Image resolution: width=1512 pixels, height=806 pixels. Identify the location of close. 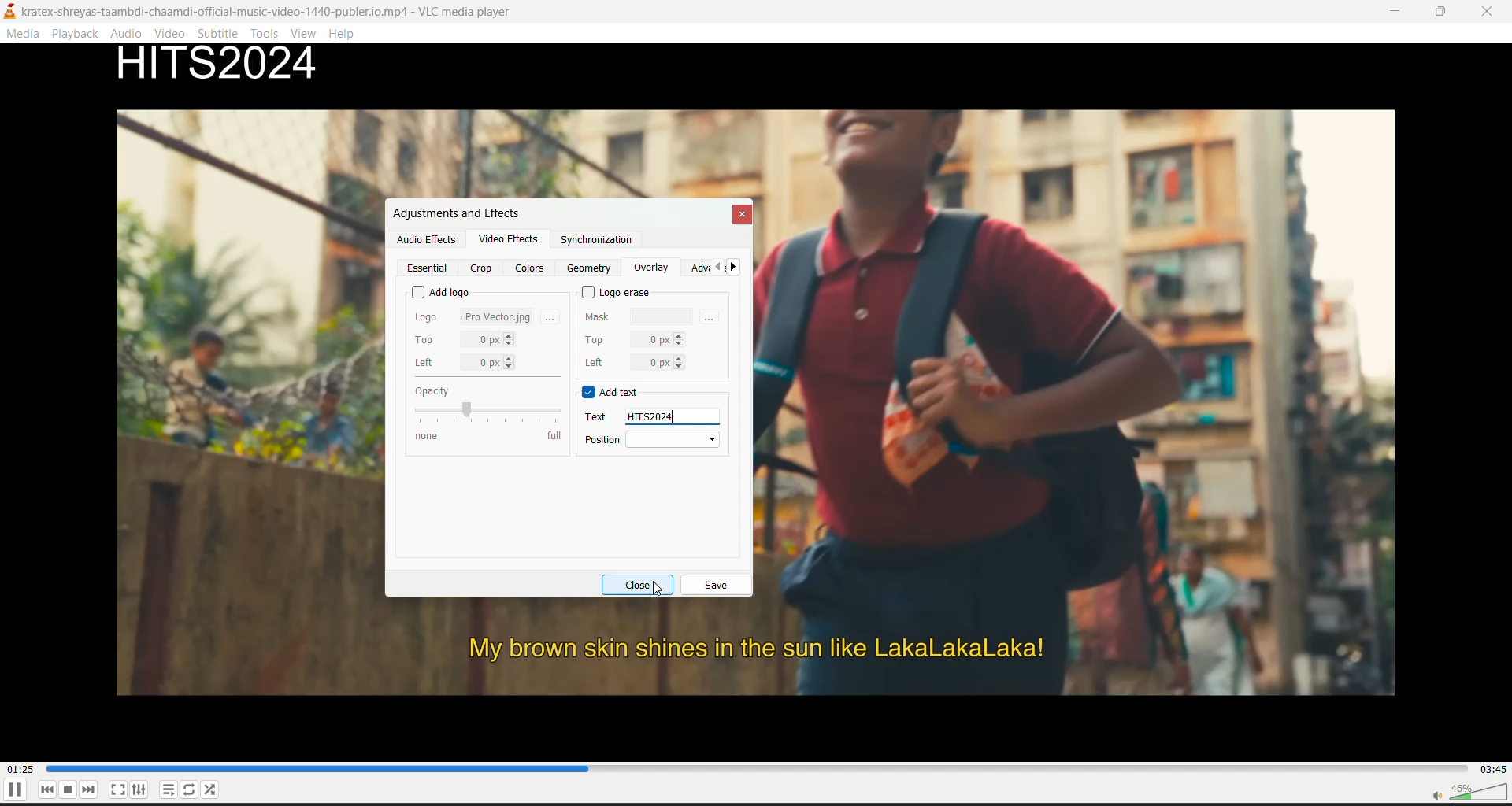
(644, 585).